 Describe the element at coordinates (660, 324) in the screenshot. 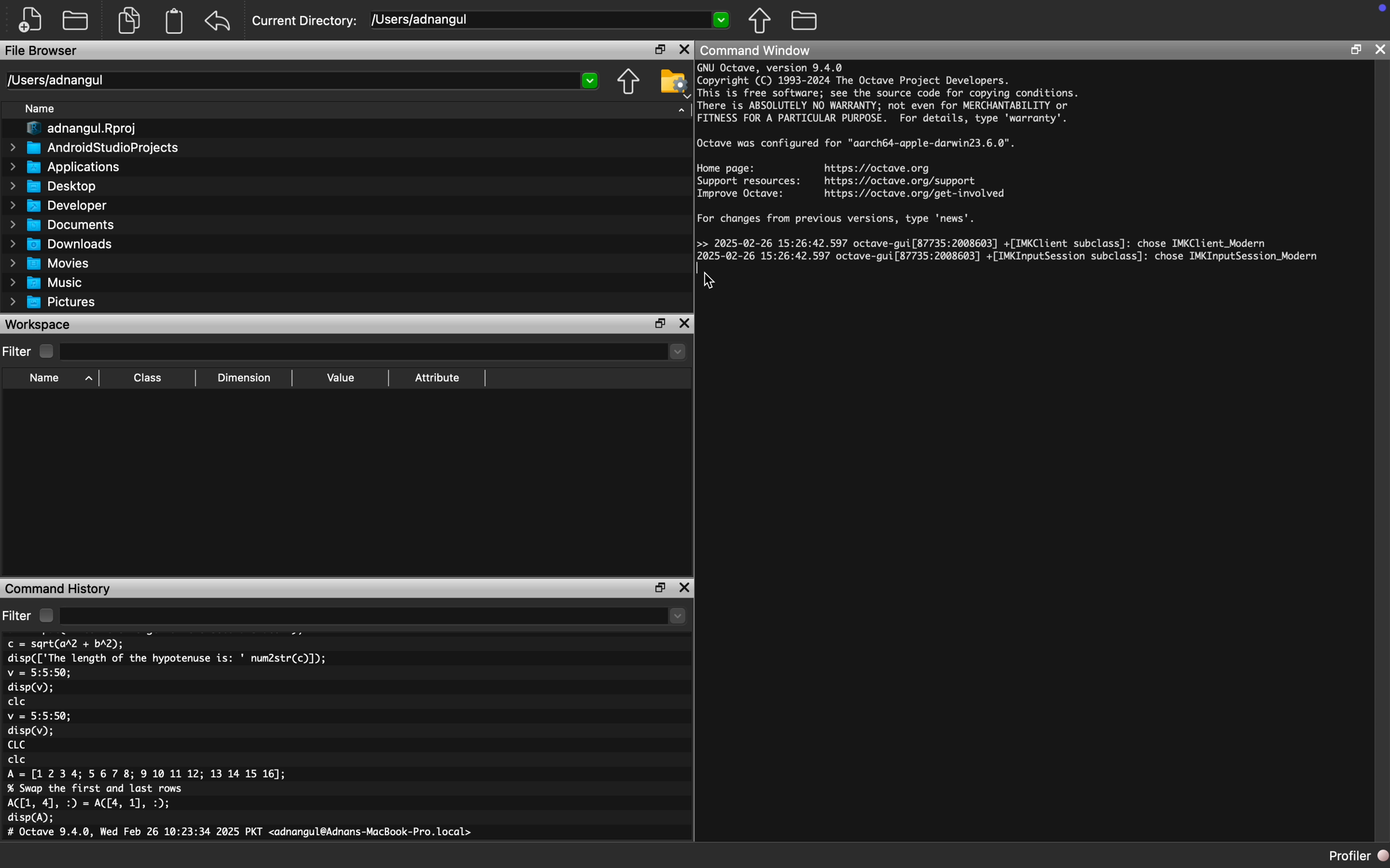

I see `Restore Down` at that location.